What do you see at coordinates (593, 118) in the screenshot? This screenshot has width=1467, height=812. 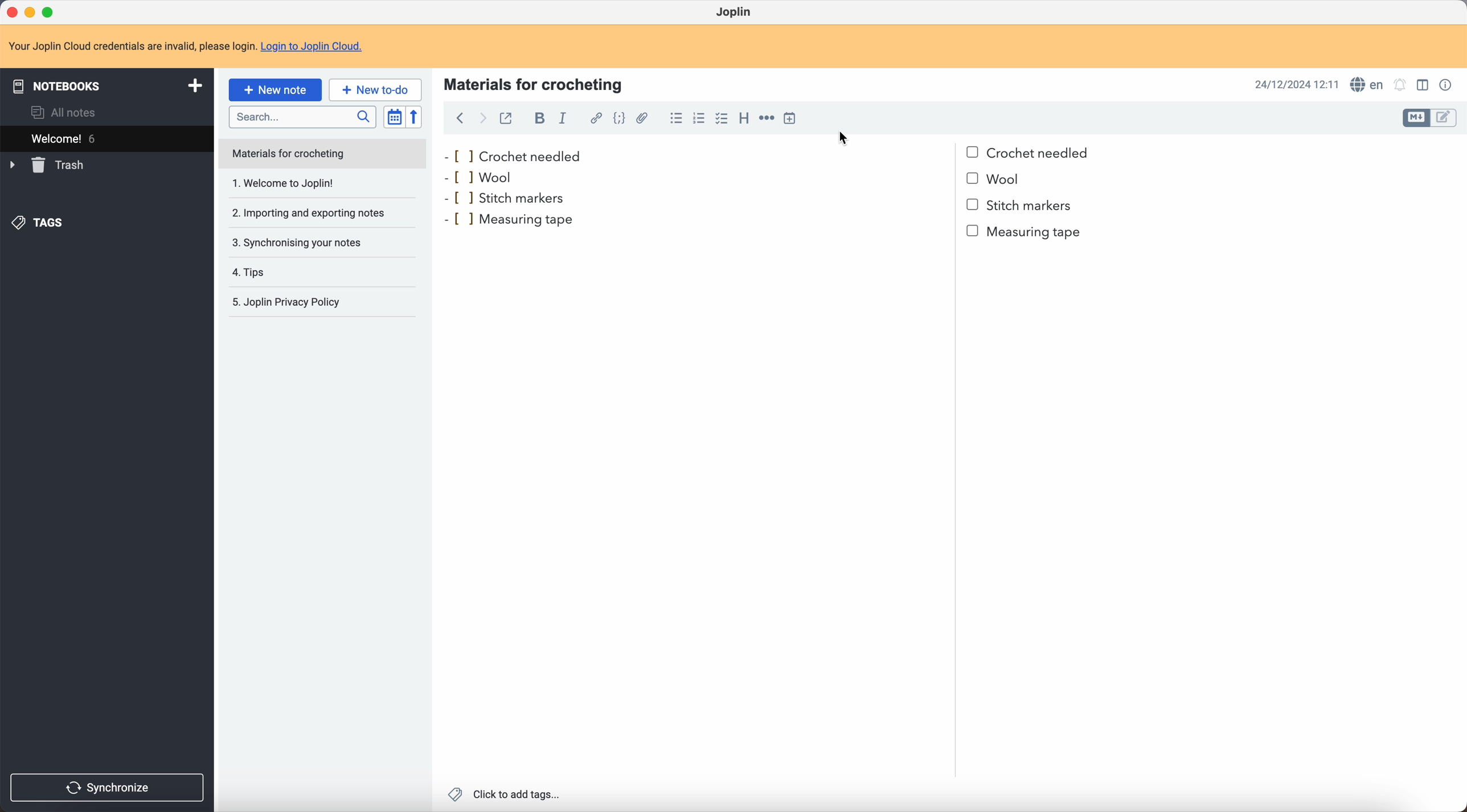 I see `hyperlink` at bounding box center [593, 118].